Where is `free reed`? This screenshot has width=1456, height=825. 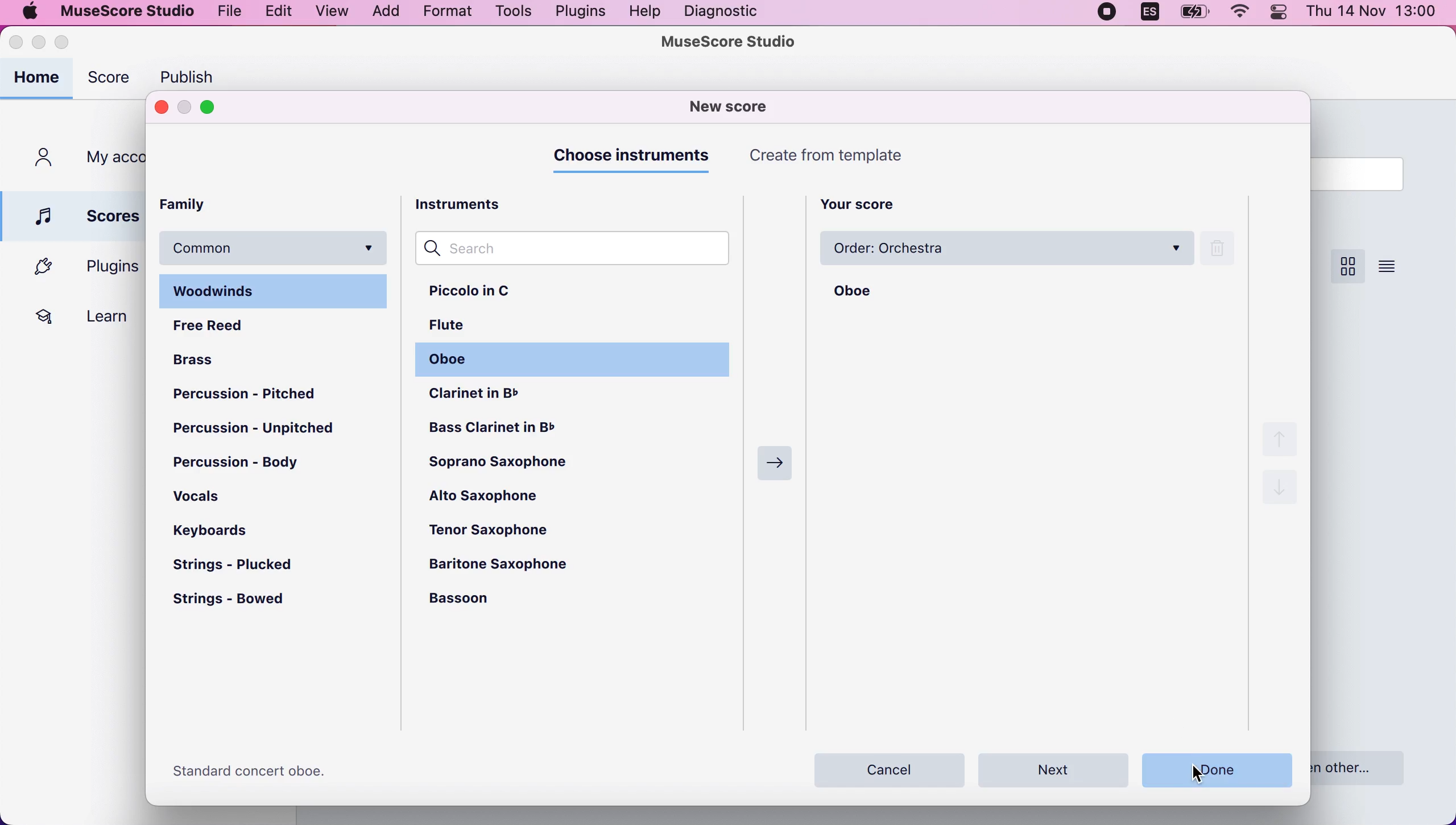
free reed is located at coordinates (217, 324).